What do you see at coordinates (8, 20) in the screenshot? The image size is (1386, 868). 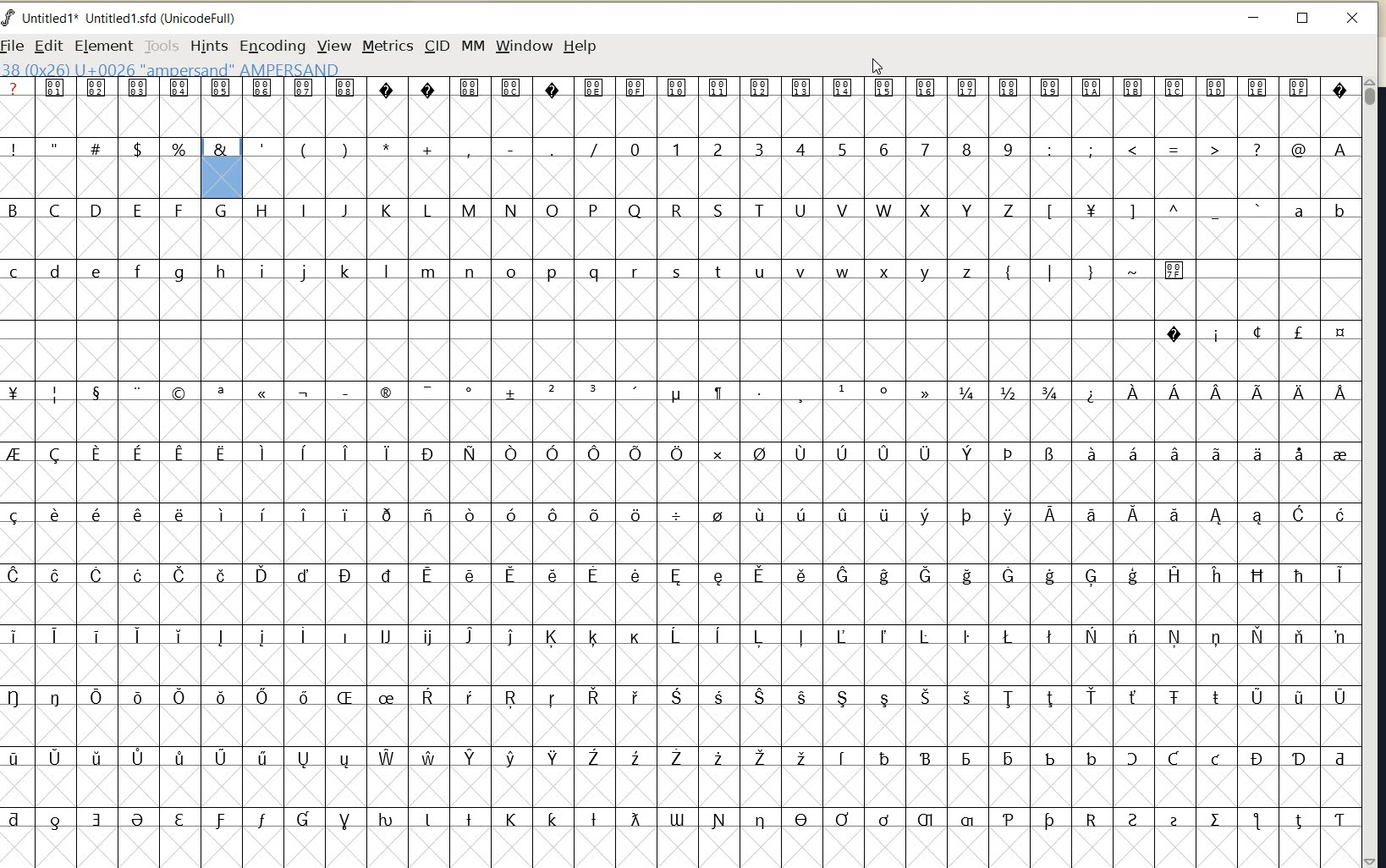 I see `fontforge logo` at bounding box center [8, 20].